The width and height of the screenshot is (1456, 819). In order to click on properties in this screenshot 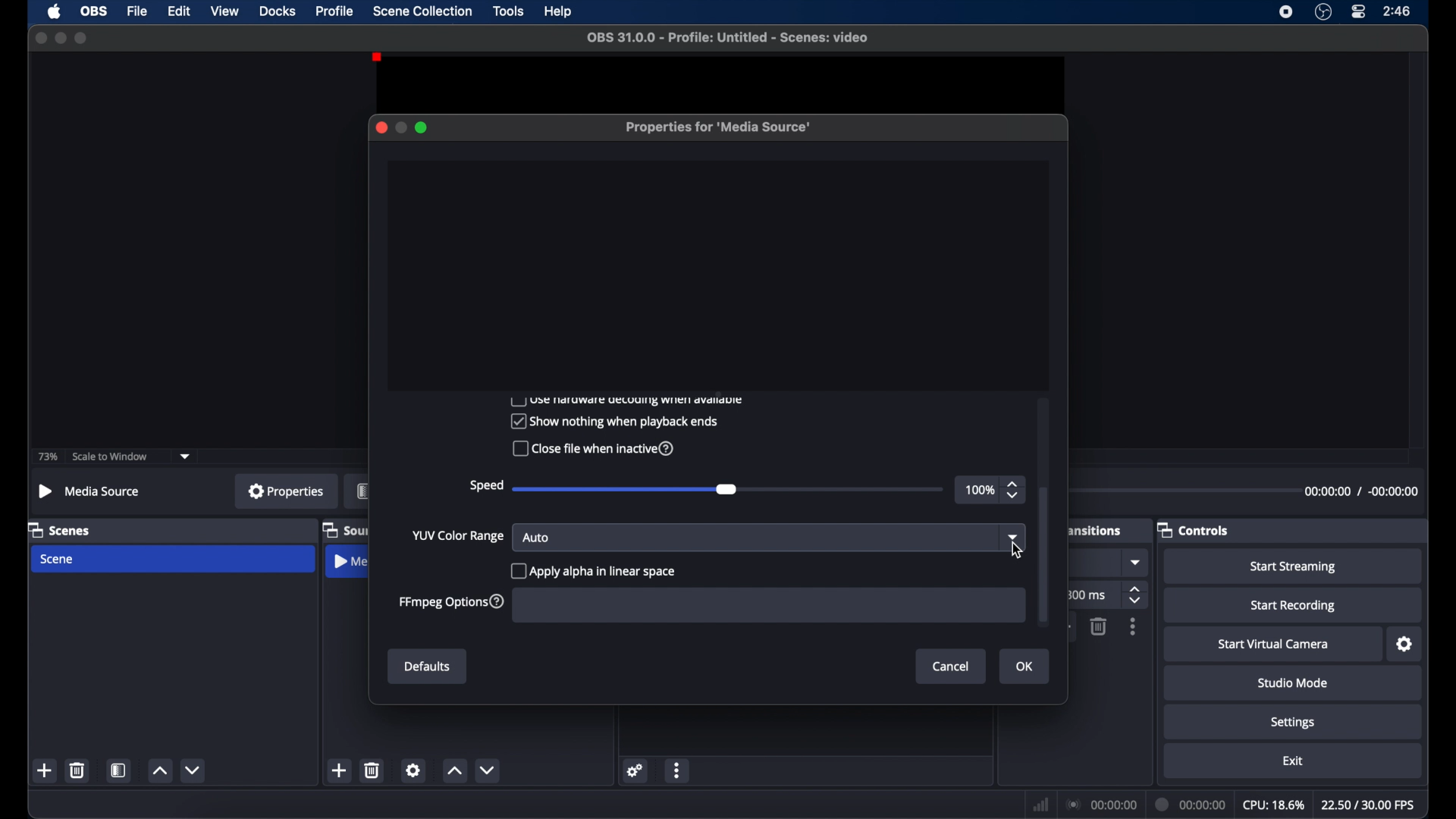, I will do `click(286, 491)`.